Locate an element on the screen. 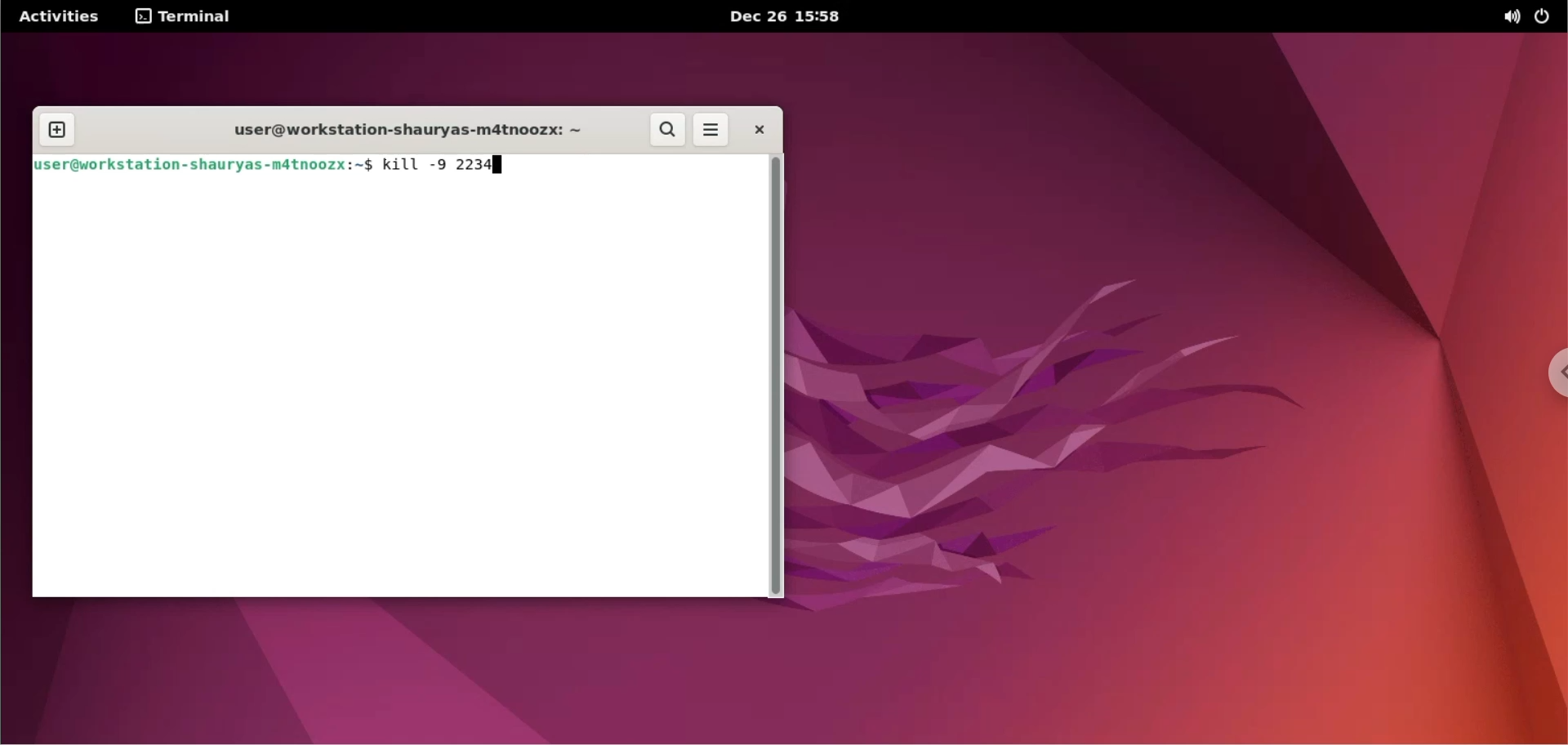  new tab is located at coordinates (55, 132).